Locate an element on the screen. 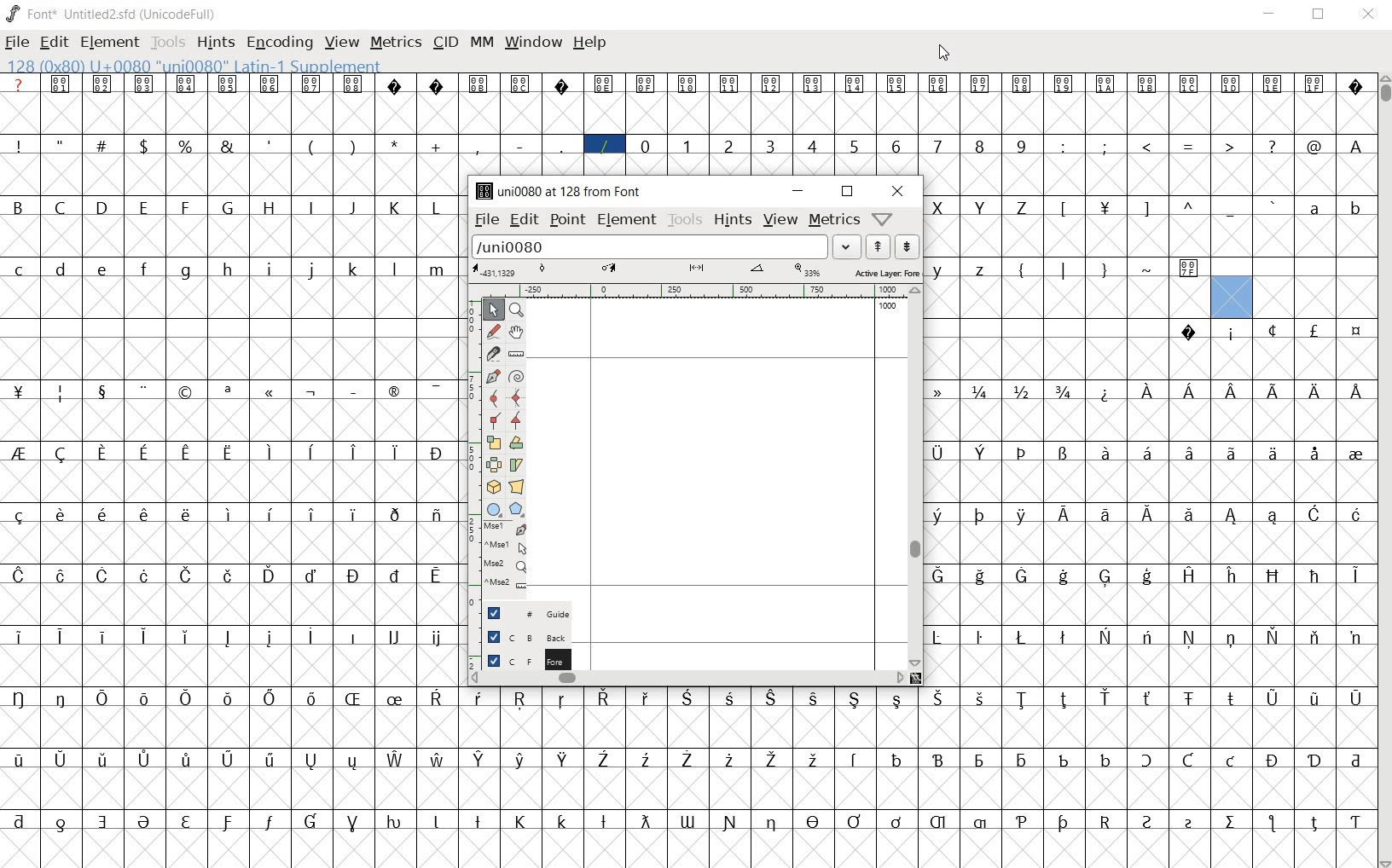 Image resolution: width=1392 pixels, height=868 pixels. glyph is located at coordinates (187, 698).